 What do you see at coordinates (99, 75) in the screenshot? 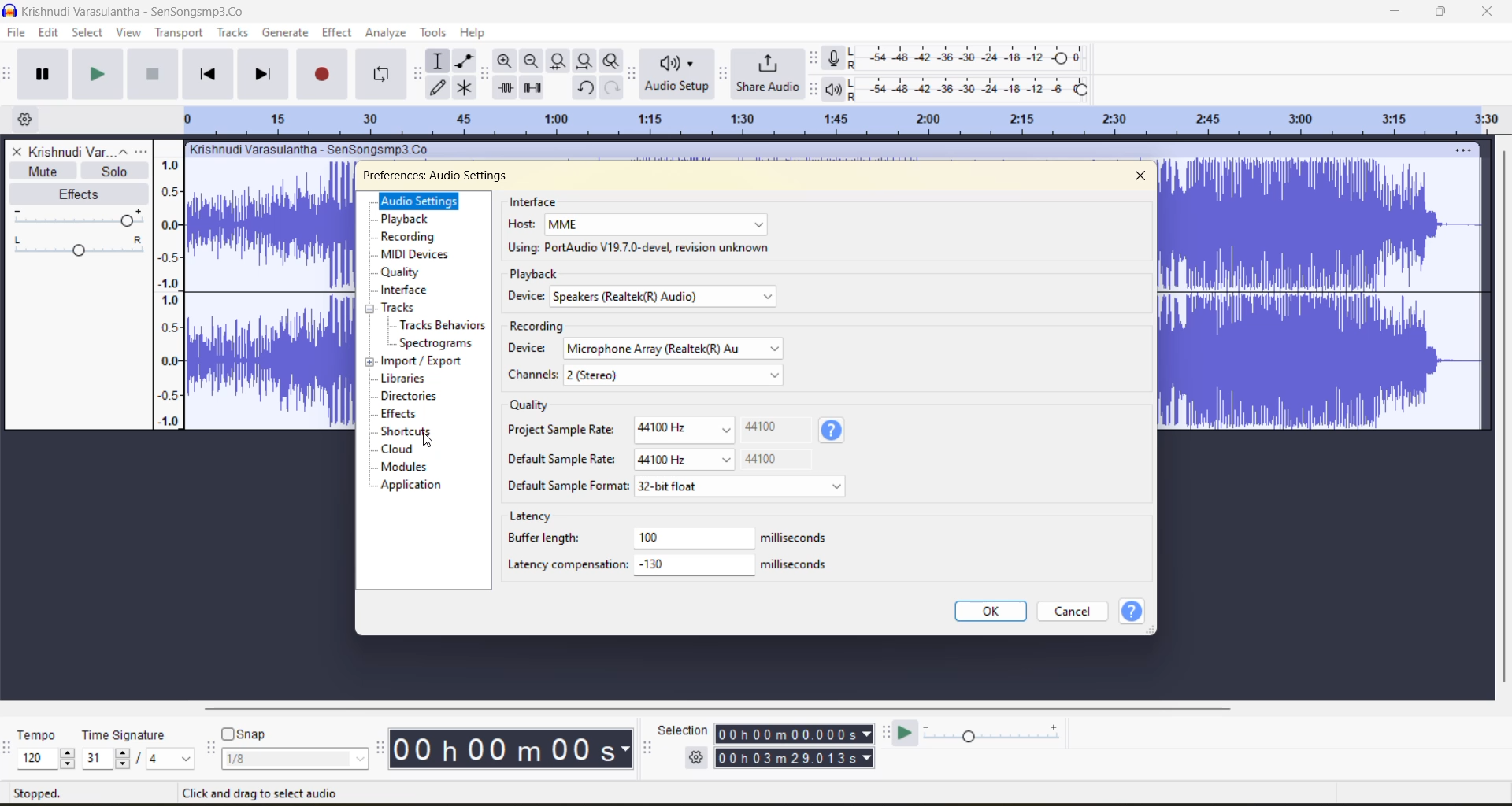
I see `play` at bounding box center [99, 75].